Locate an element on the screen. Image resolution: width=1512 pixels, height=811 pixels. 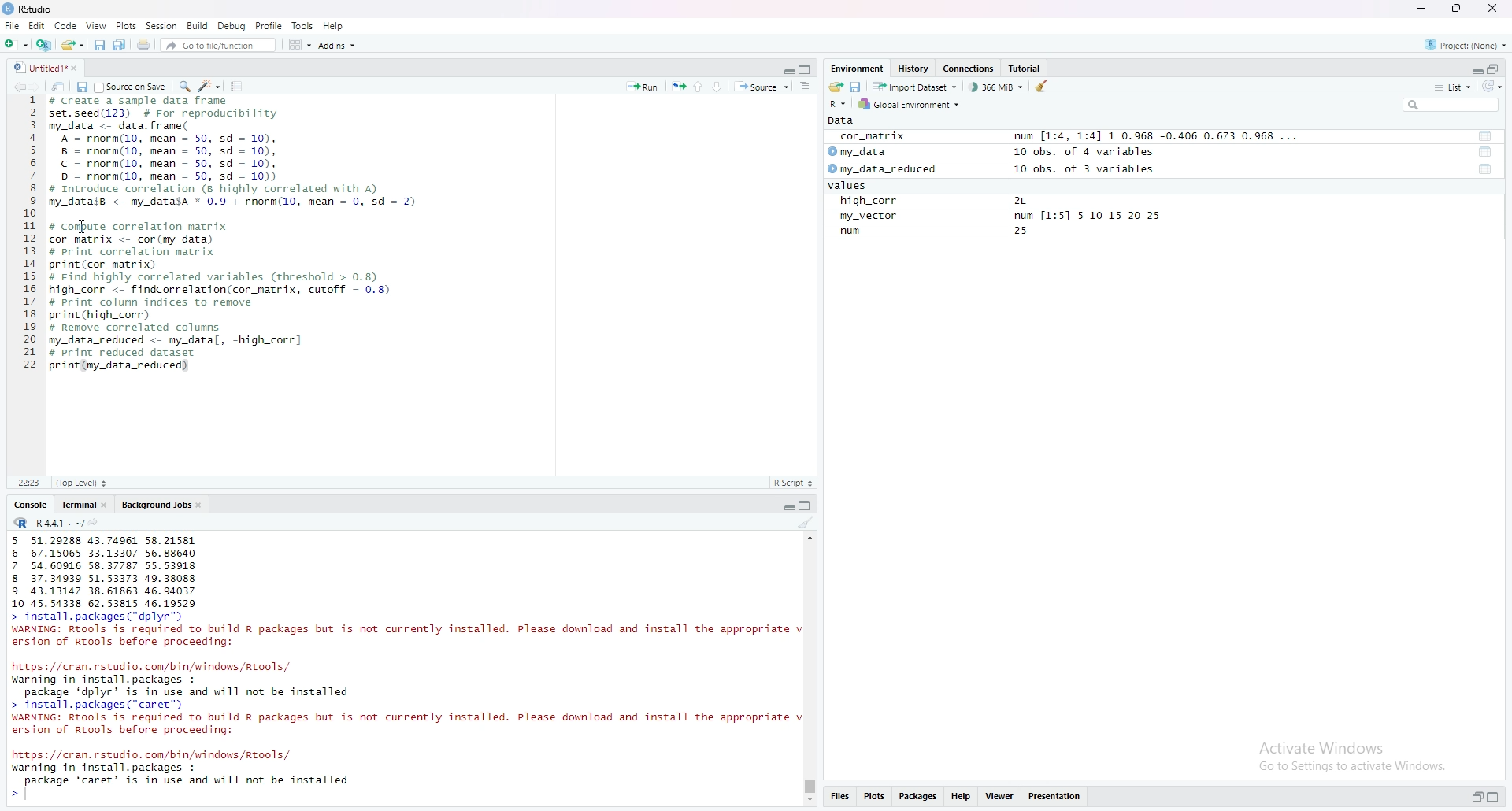
> install.packages( dplyr)
WARNING: Rtools is required to build R packages but is not currently installed. Please download and install the appropriate v
ersion of Rtools before proceeding: is located at coordinates (405, 633).